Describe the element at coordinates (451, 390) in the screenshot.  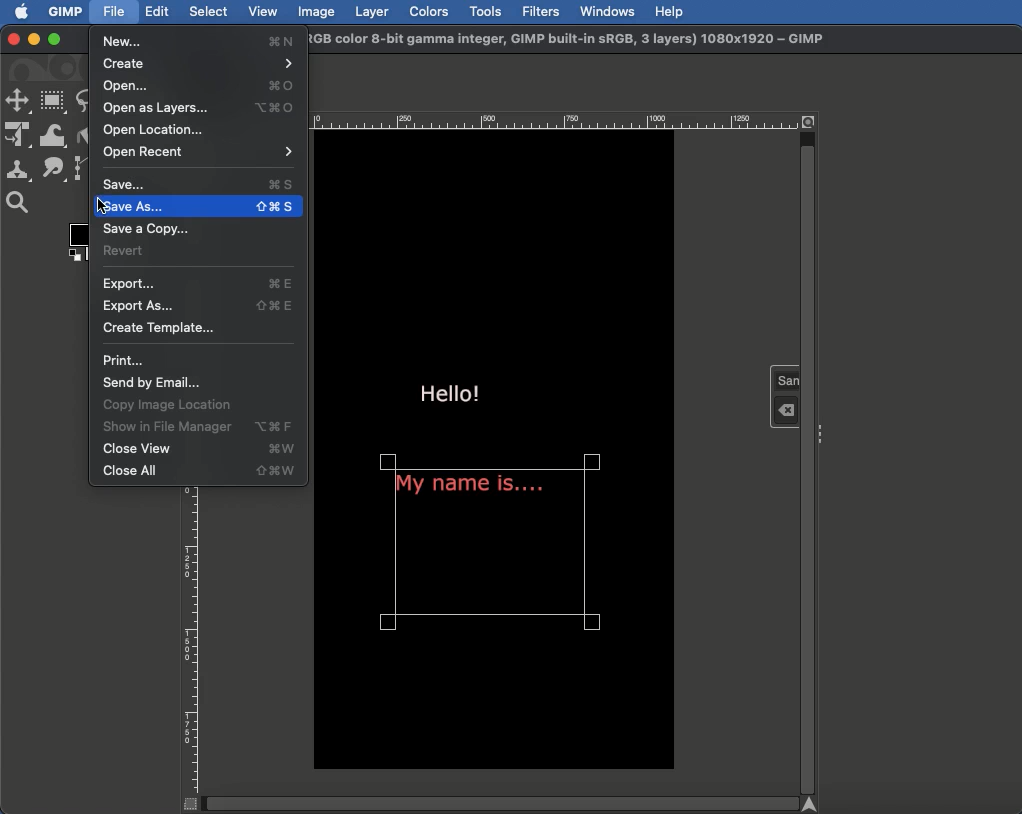
I see `Hello!` at that location.